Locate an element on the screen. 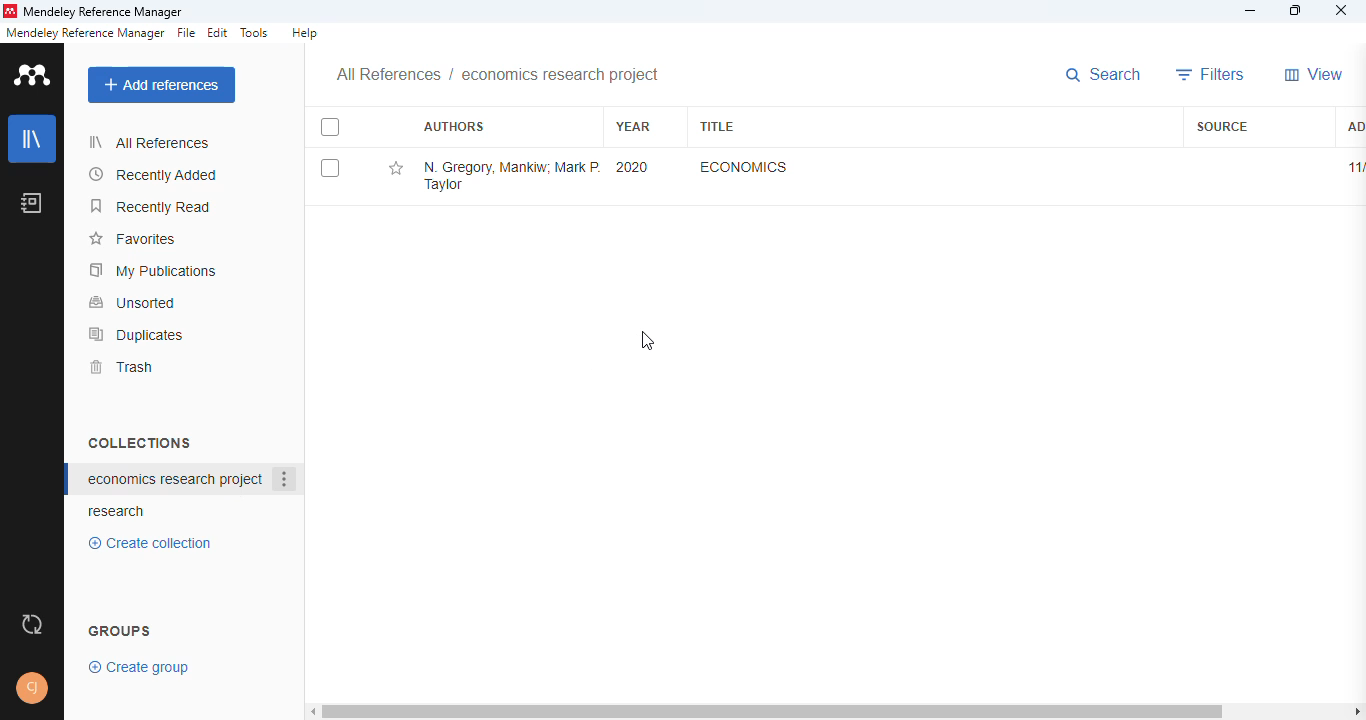 This screenshot has width=1366, height=720. select is located at coordinates (330, 127).